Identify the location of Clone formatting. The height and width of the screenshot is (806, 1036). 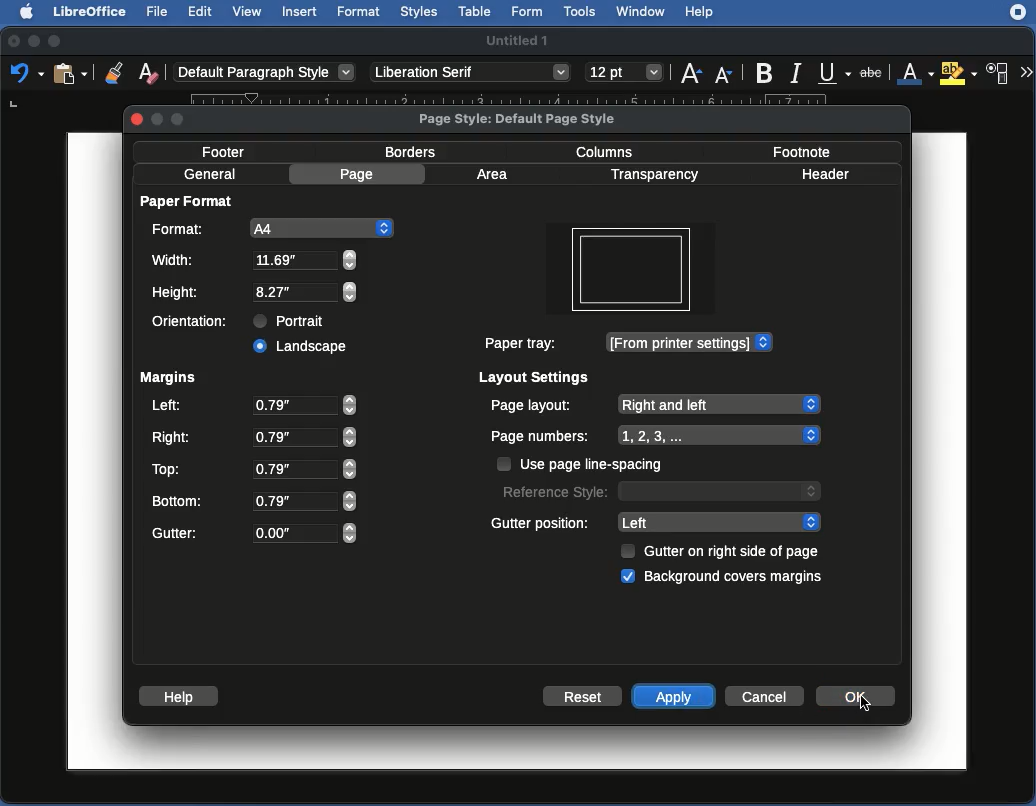
(113, 72).